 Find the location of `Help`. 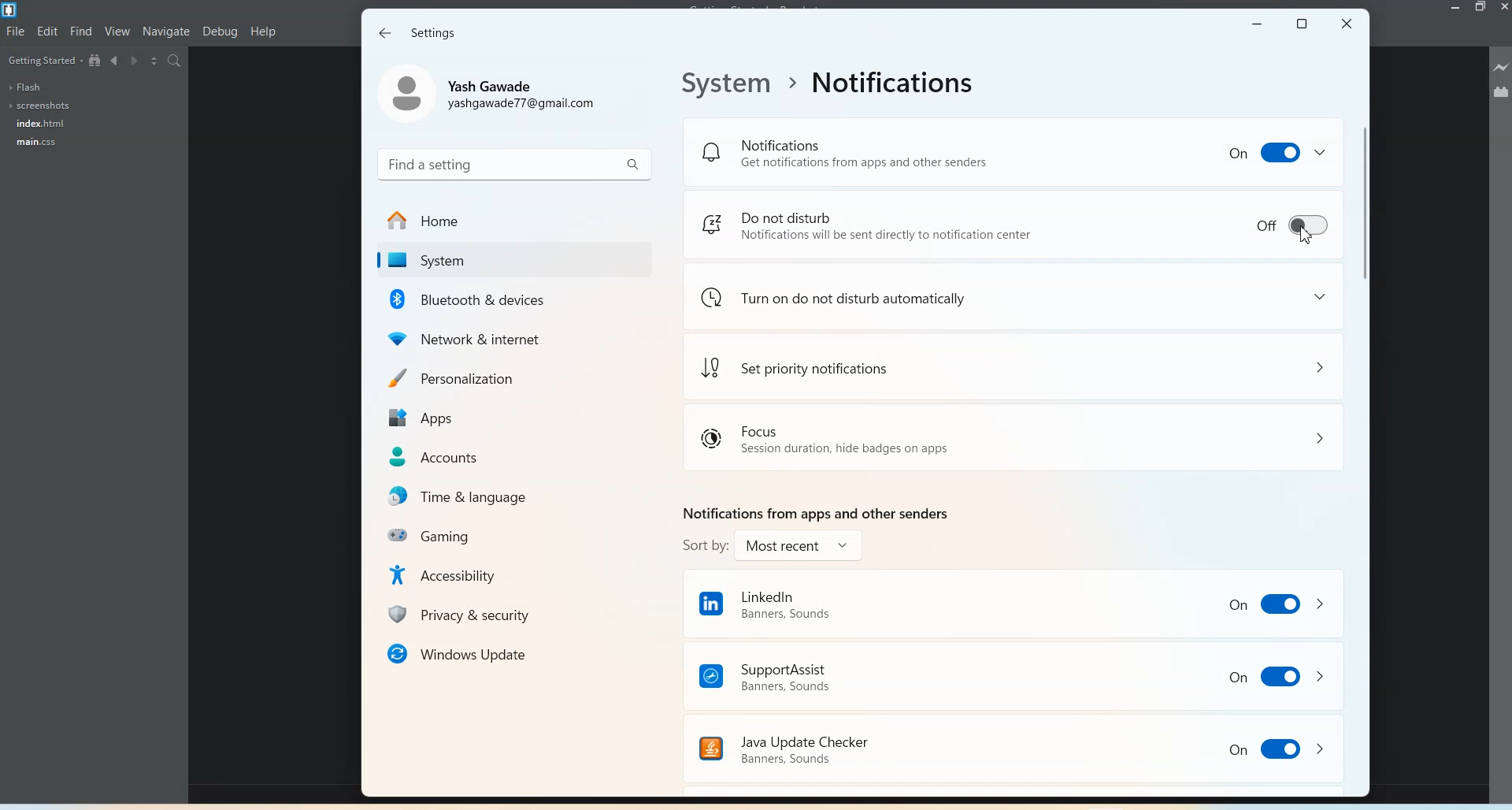

Help is located at coordinates (265, 32).